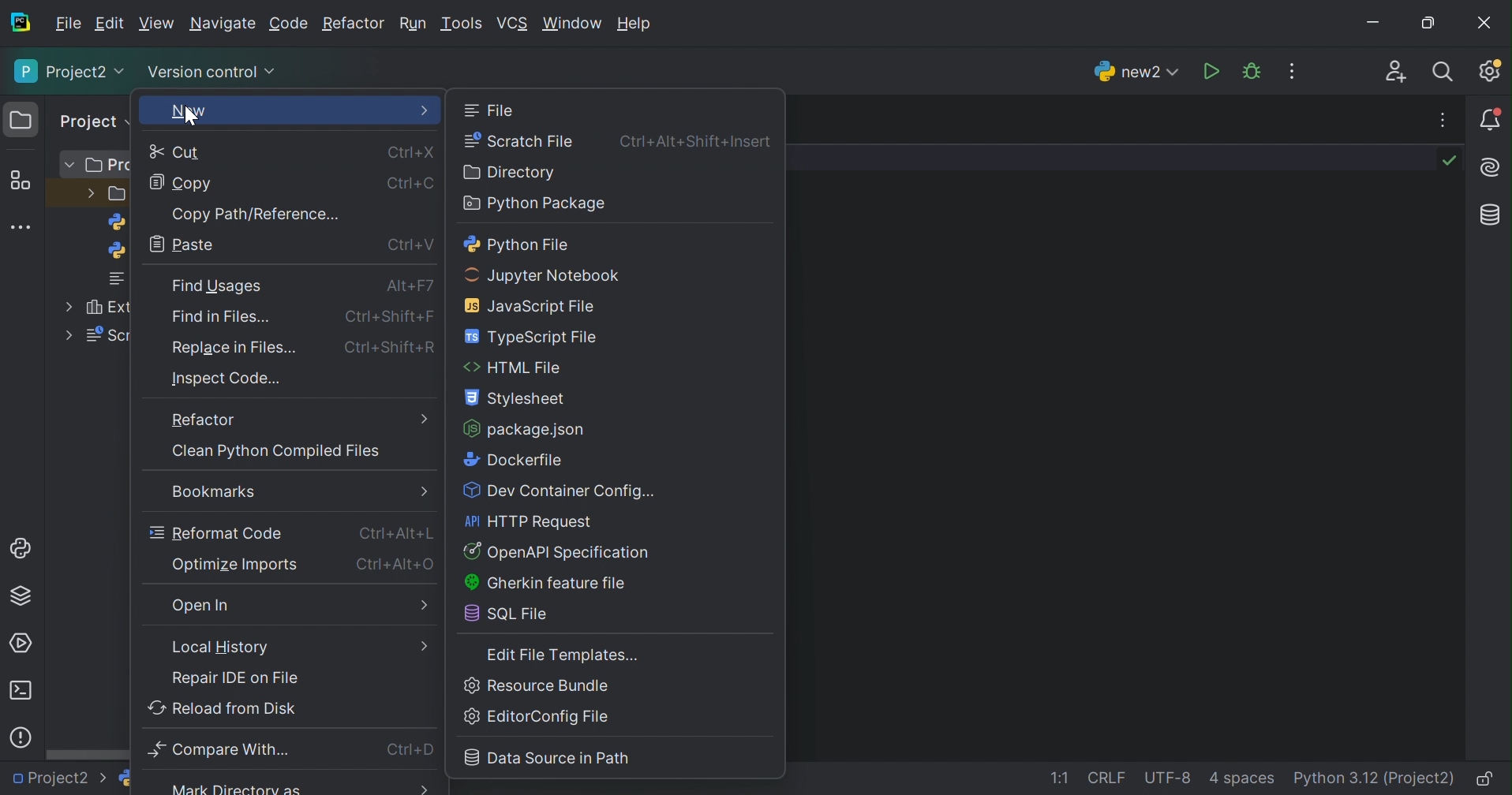 Image resolution: width=1512 pixels, height=795 pixels. I want to click on Services, so click(24, 642).